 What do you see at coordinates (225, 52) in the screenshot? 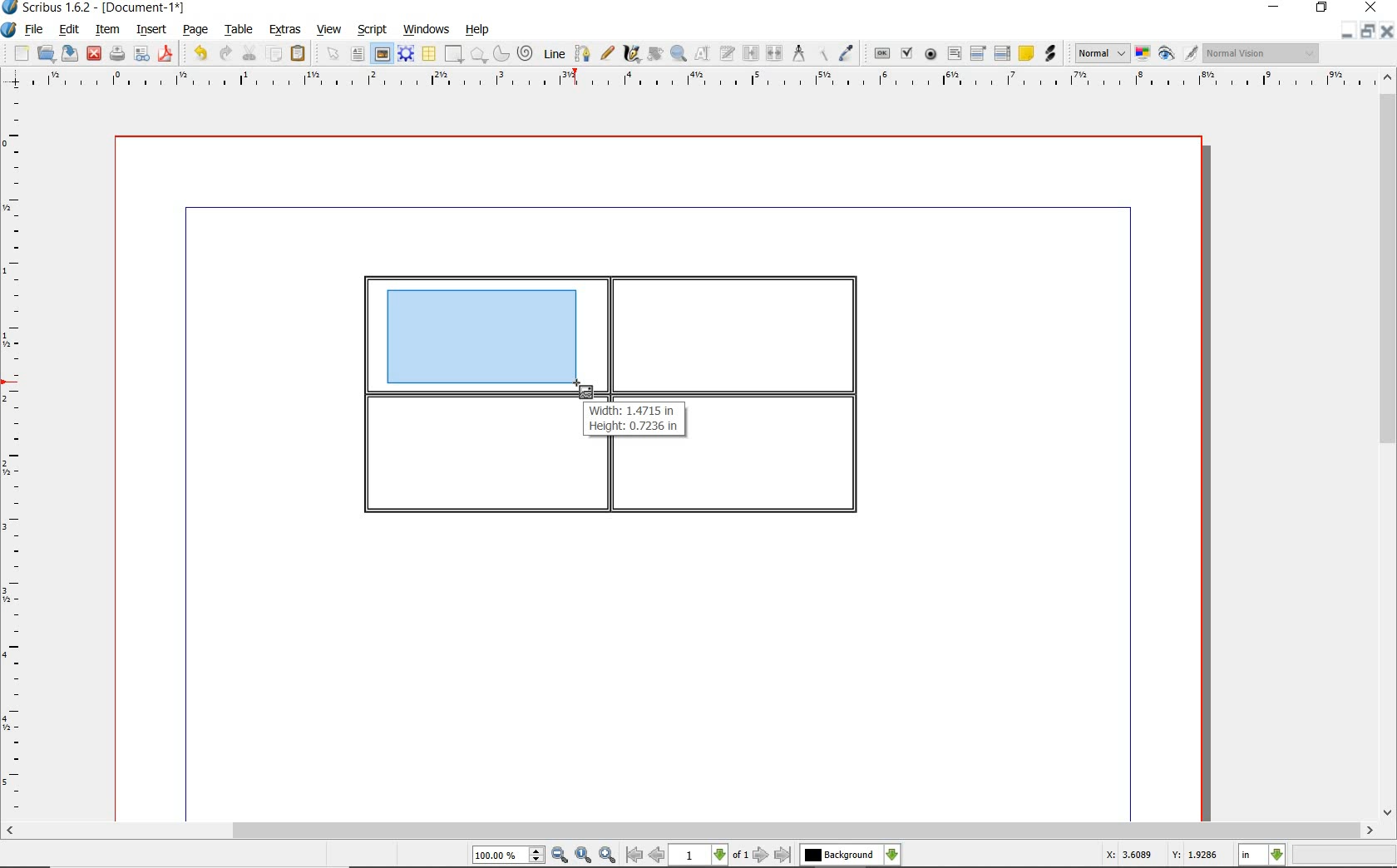
I see `redo` at bounding box center [225, 52].